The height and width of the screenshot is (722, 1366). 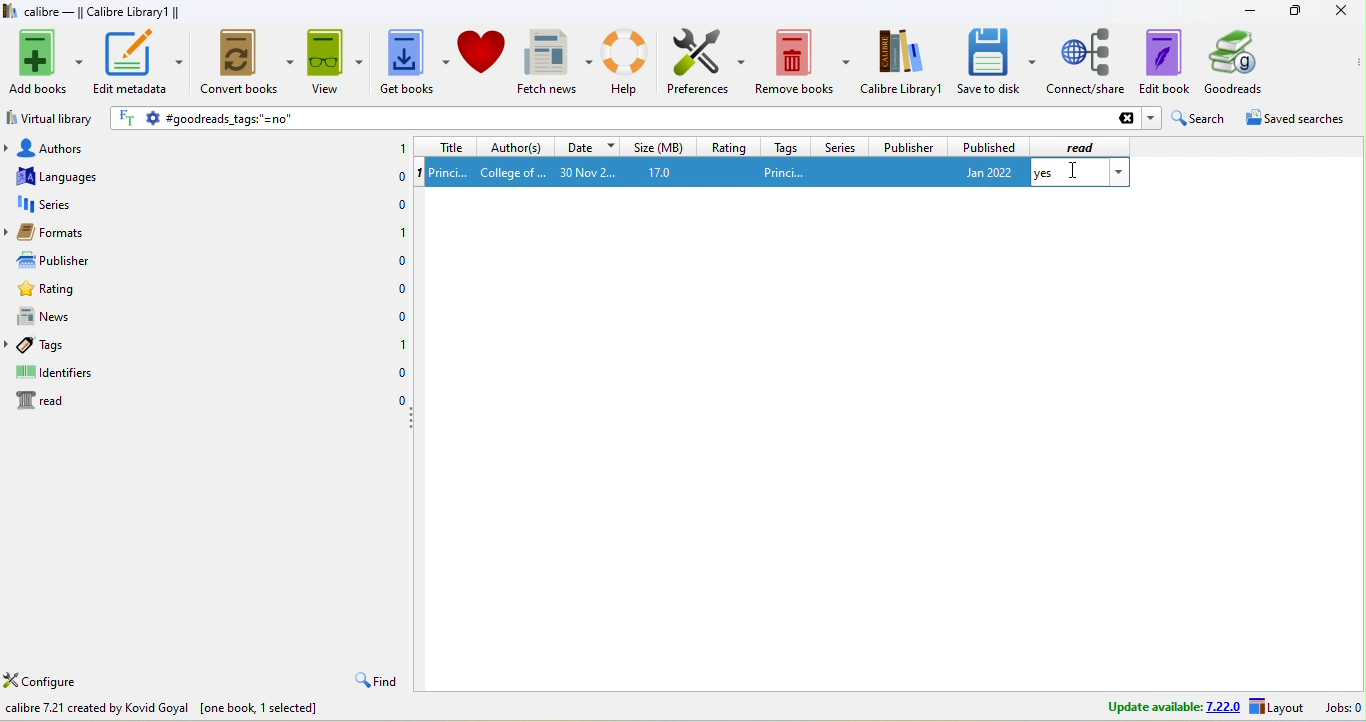 I want to click on series, so click(x=841, y=146).